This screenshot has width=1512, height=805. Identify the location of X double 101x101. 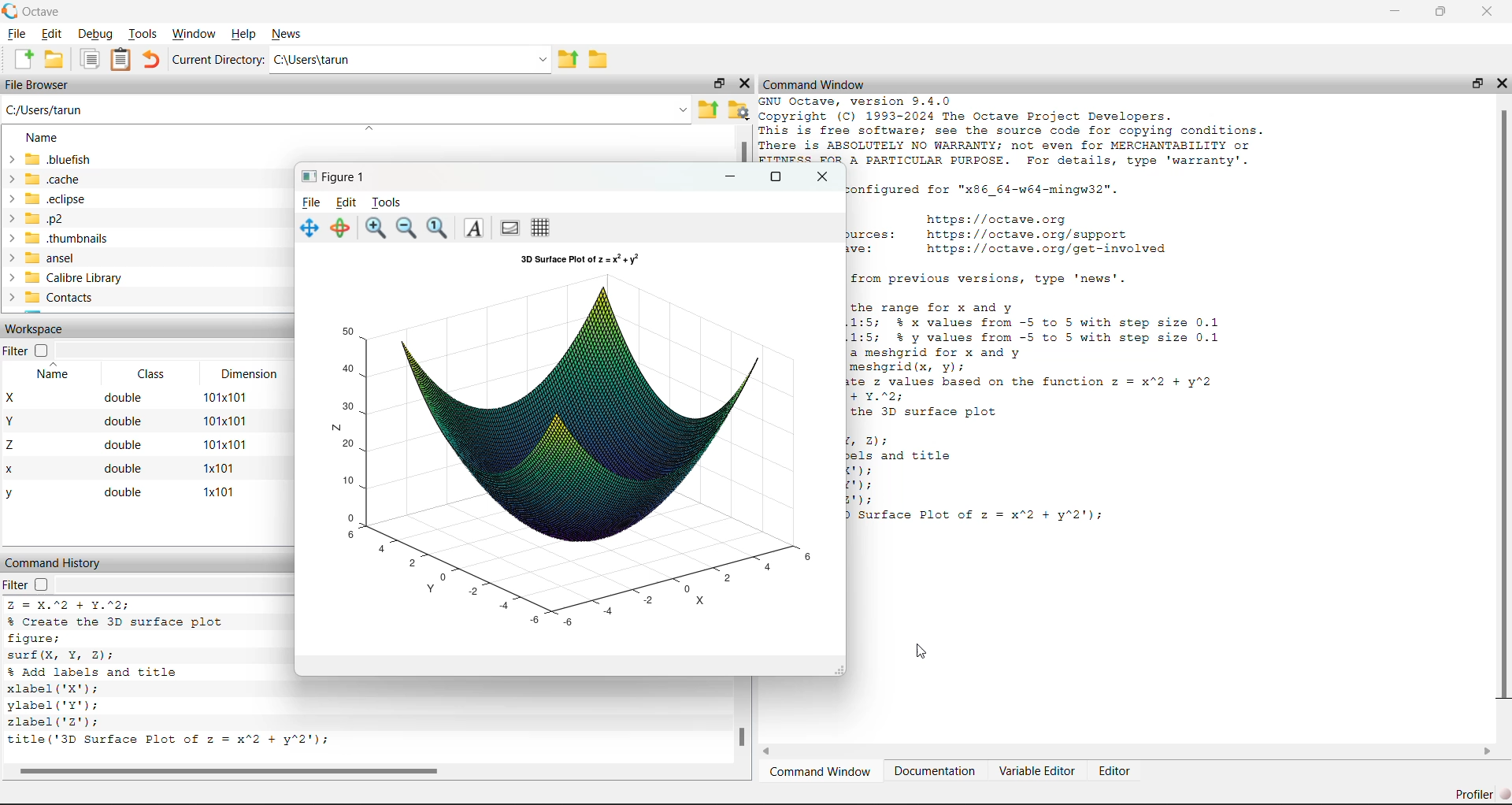
(128, 397).